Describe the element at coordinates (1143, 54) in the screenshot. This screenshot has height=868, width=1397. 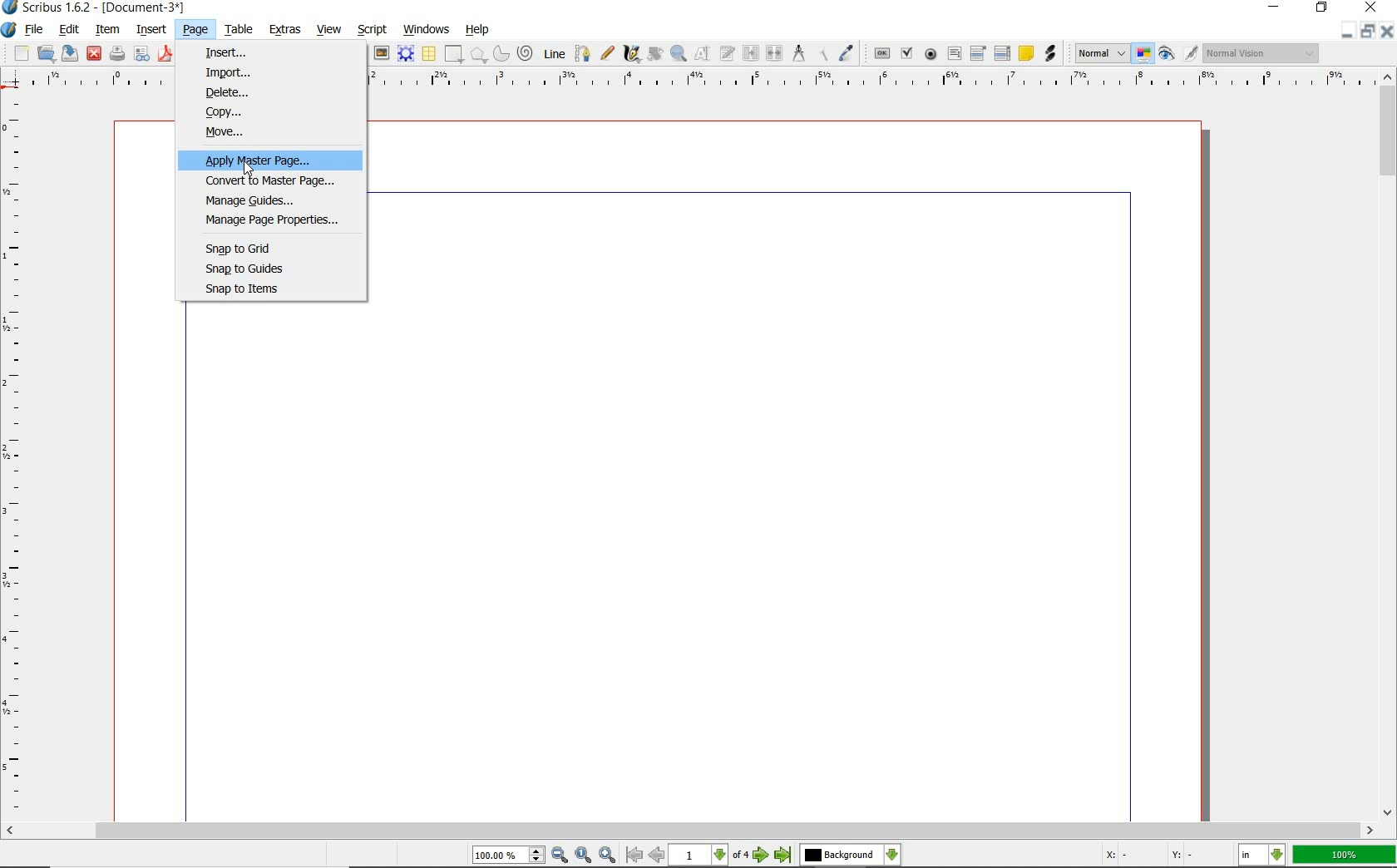
I see `toggle color management` at that location.